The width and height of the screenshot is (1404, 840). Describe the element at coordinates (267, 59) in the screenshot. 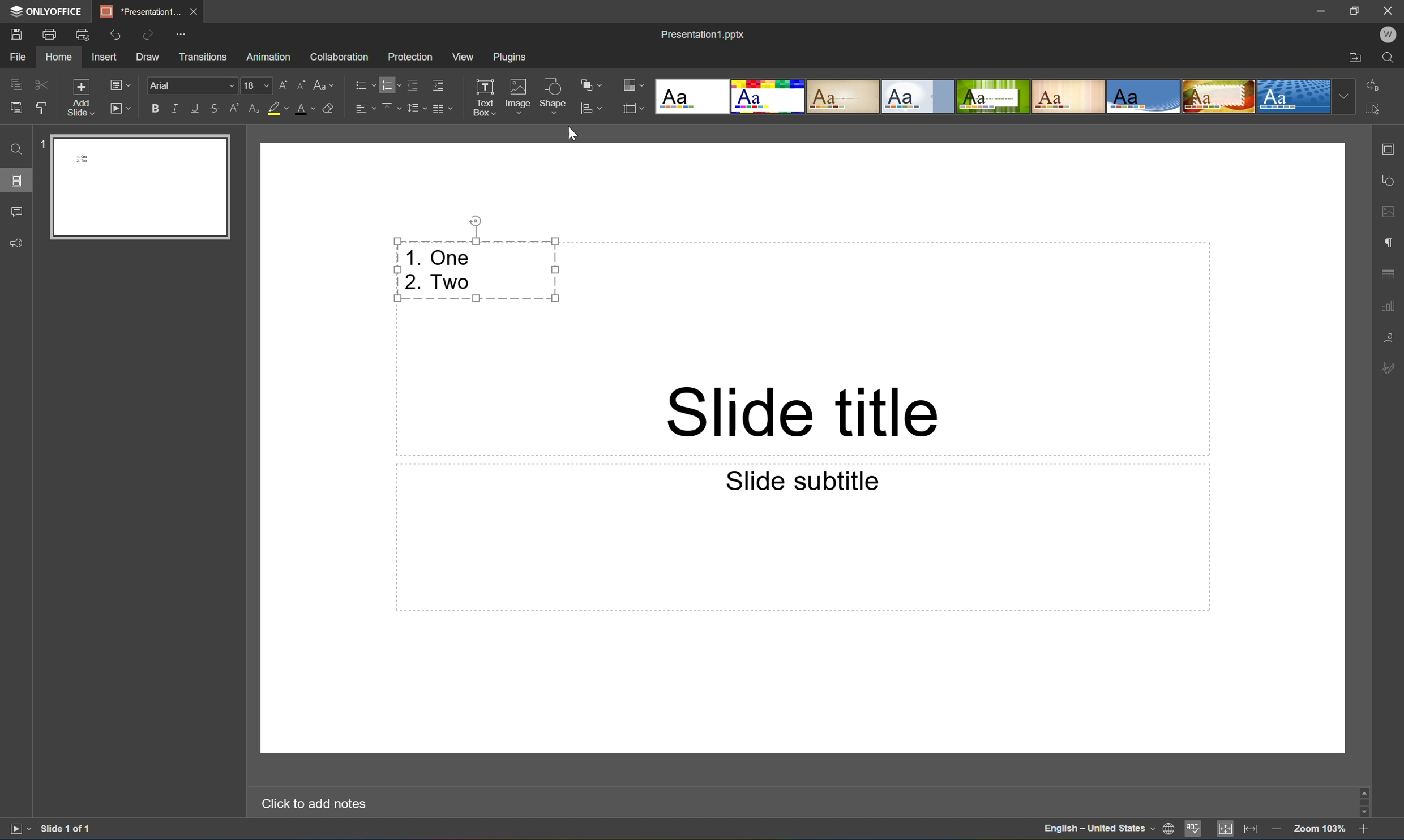

I see `Animation` at that location.